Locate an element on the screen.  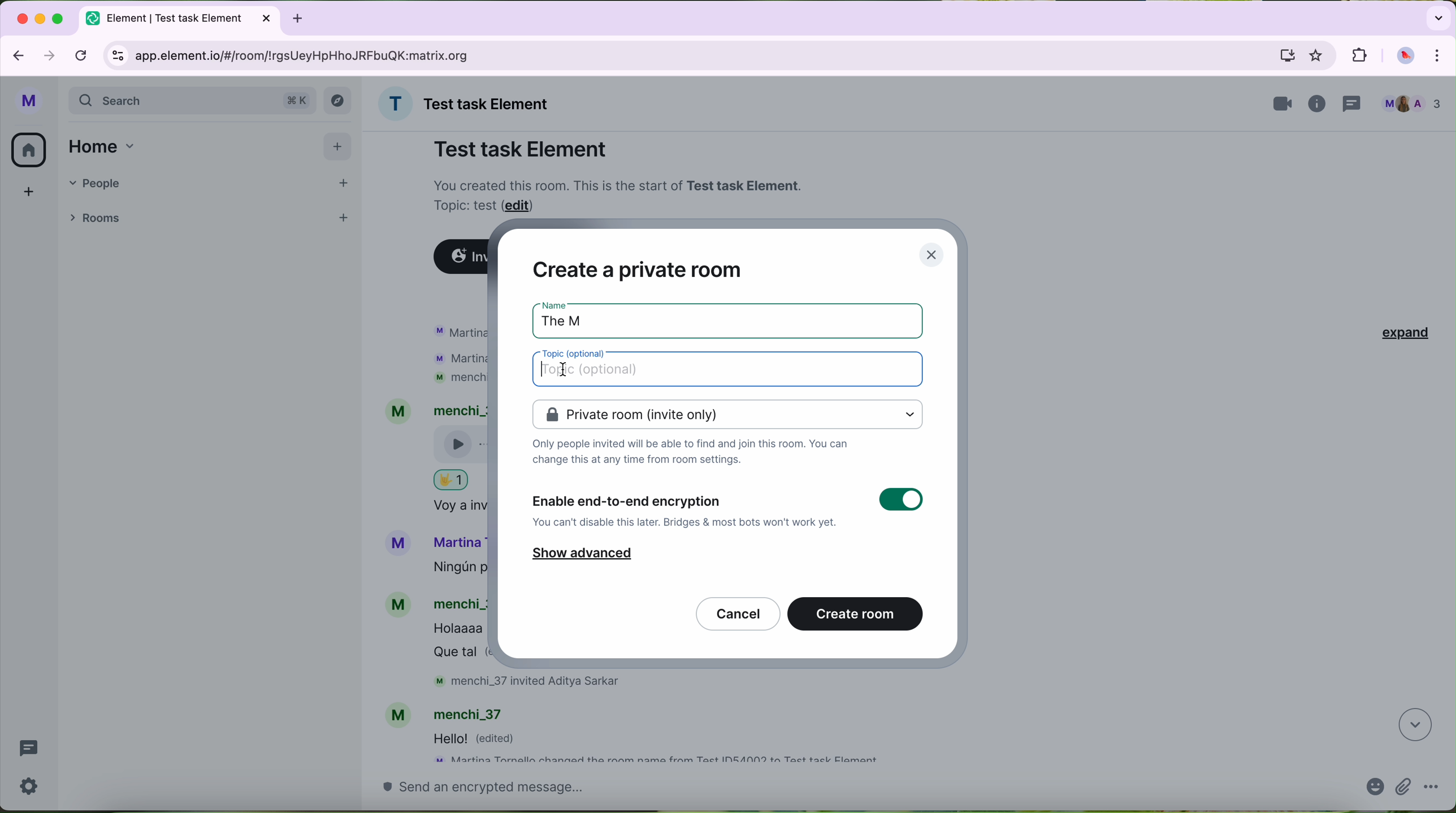
attach file is located at coordinates (1404, 788).